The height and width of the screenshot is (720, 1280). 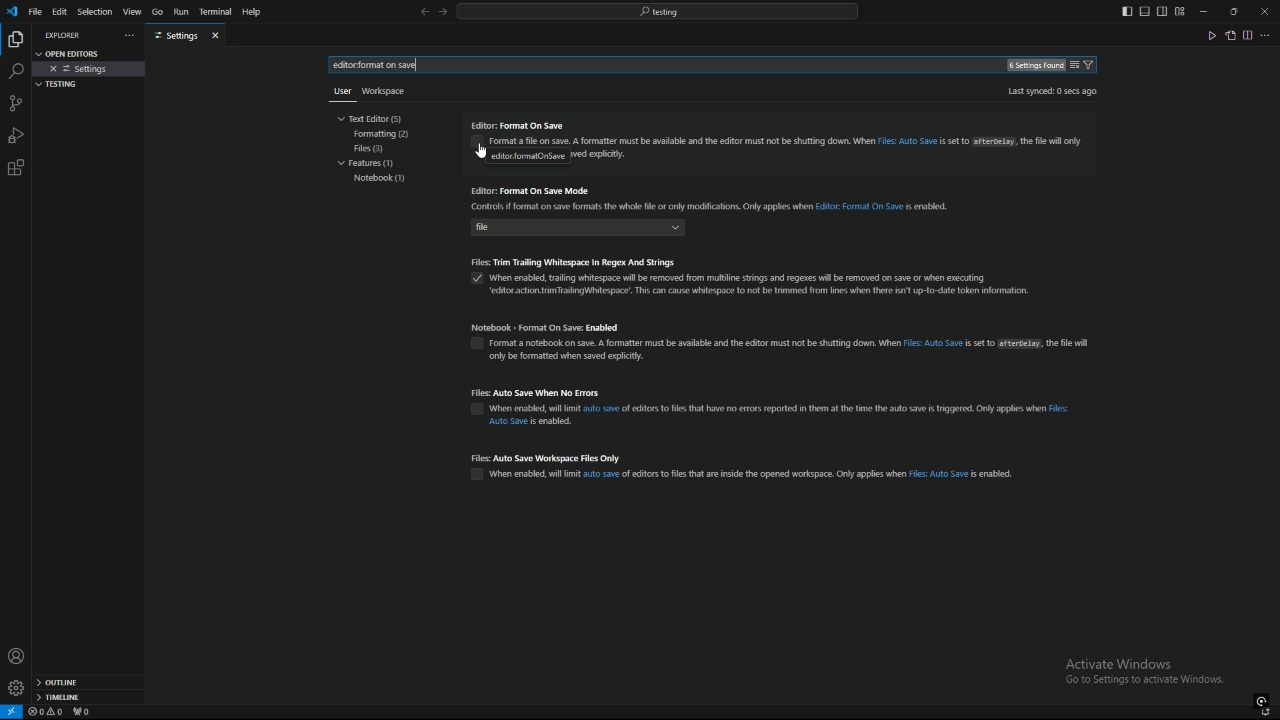 What do you see at coordinates (779, 143) in the screenshot?
I see `editor format on save` at bounding box center [779, 143].